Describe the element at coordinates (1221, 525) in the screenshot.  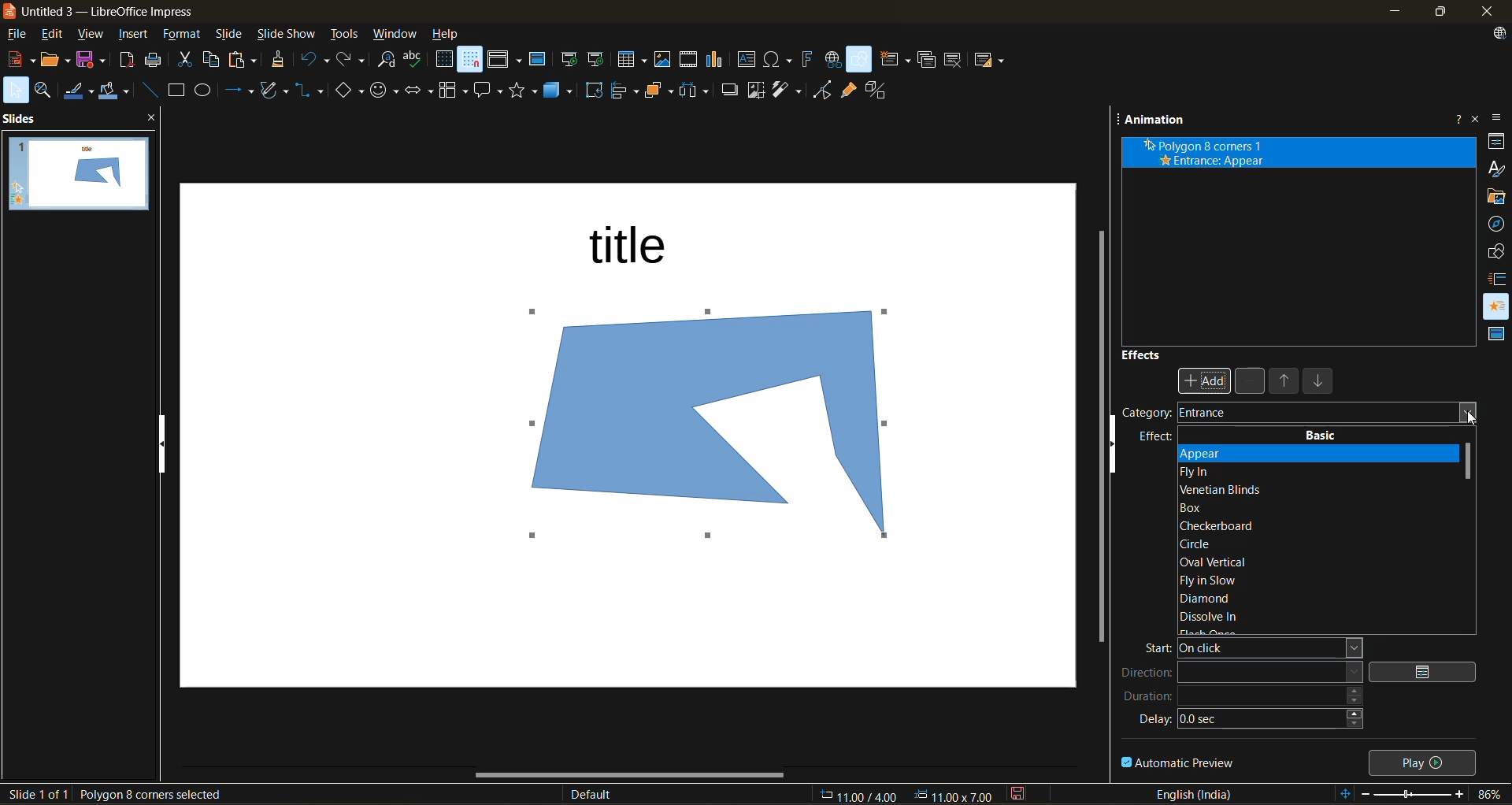
I see `checker board` at that location.